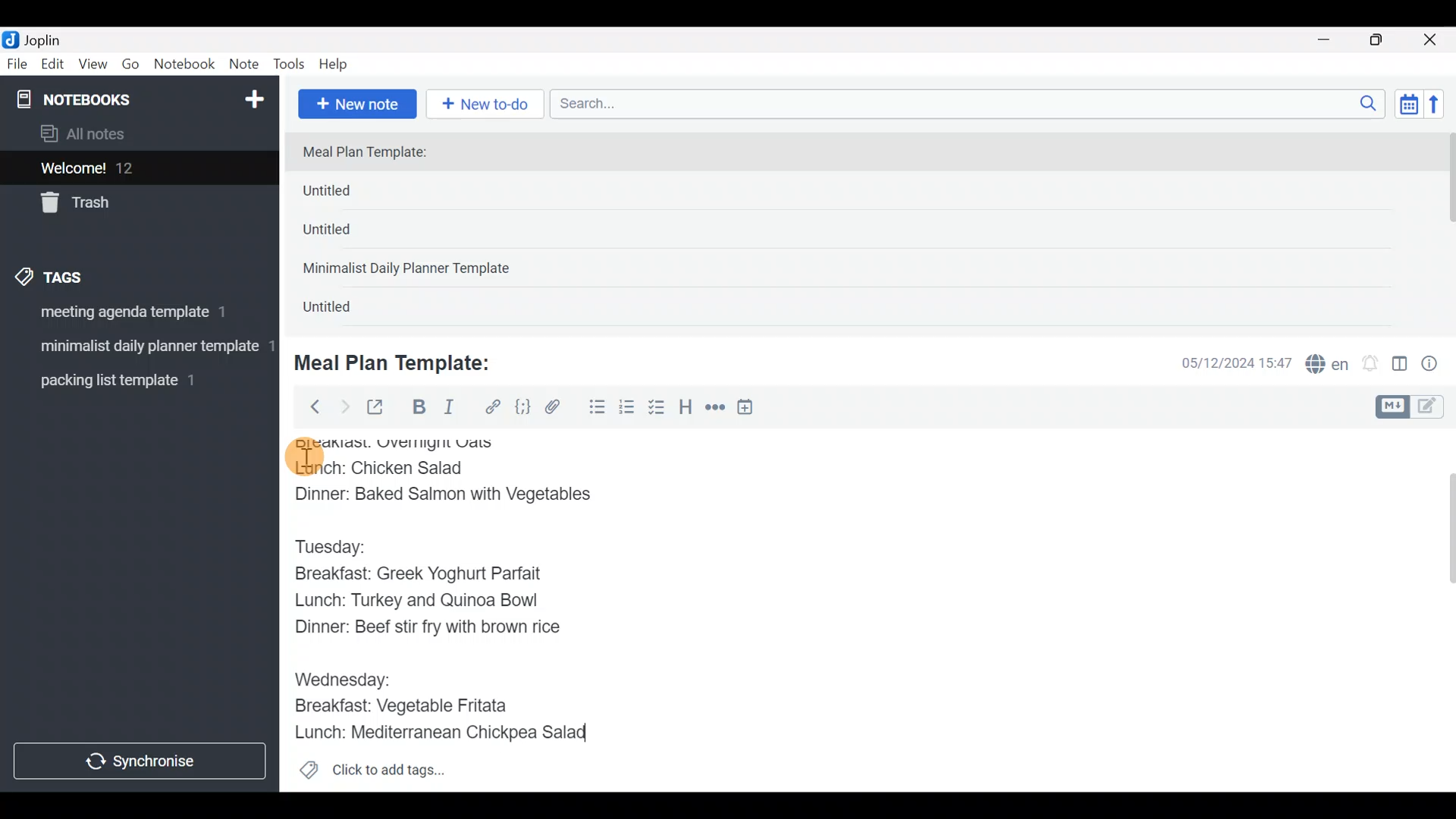  What do you see at coordinates (411, 270) in the screenshot?
I see `Minimalist Daily Planner Template` at bounding box center [411, 270].